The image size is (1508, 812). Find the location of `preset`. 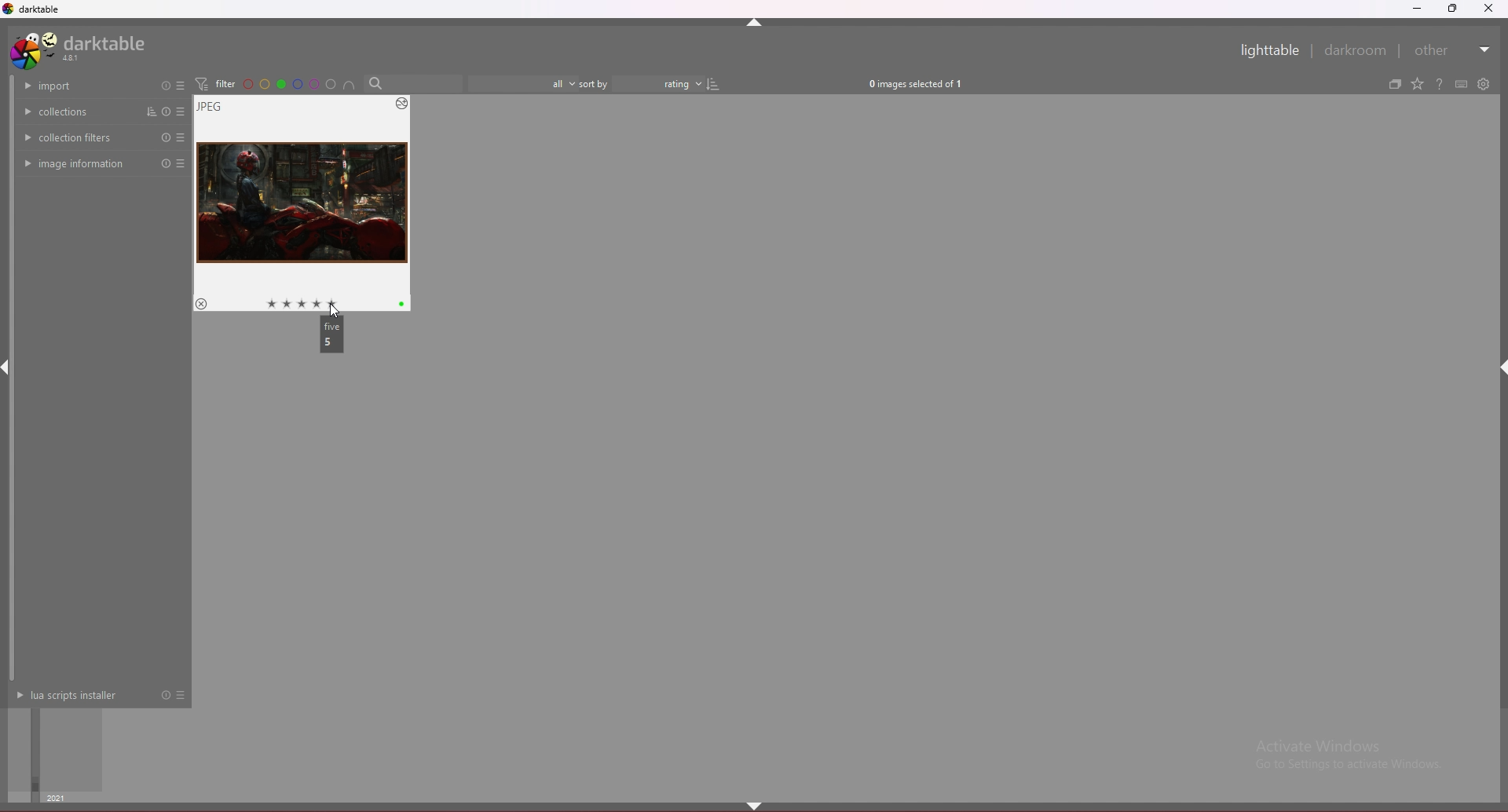

preset is located at coordinates (181, 137).